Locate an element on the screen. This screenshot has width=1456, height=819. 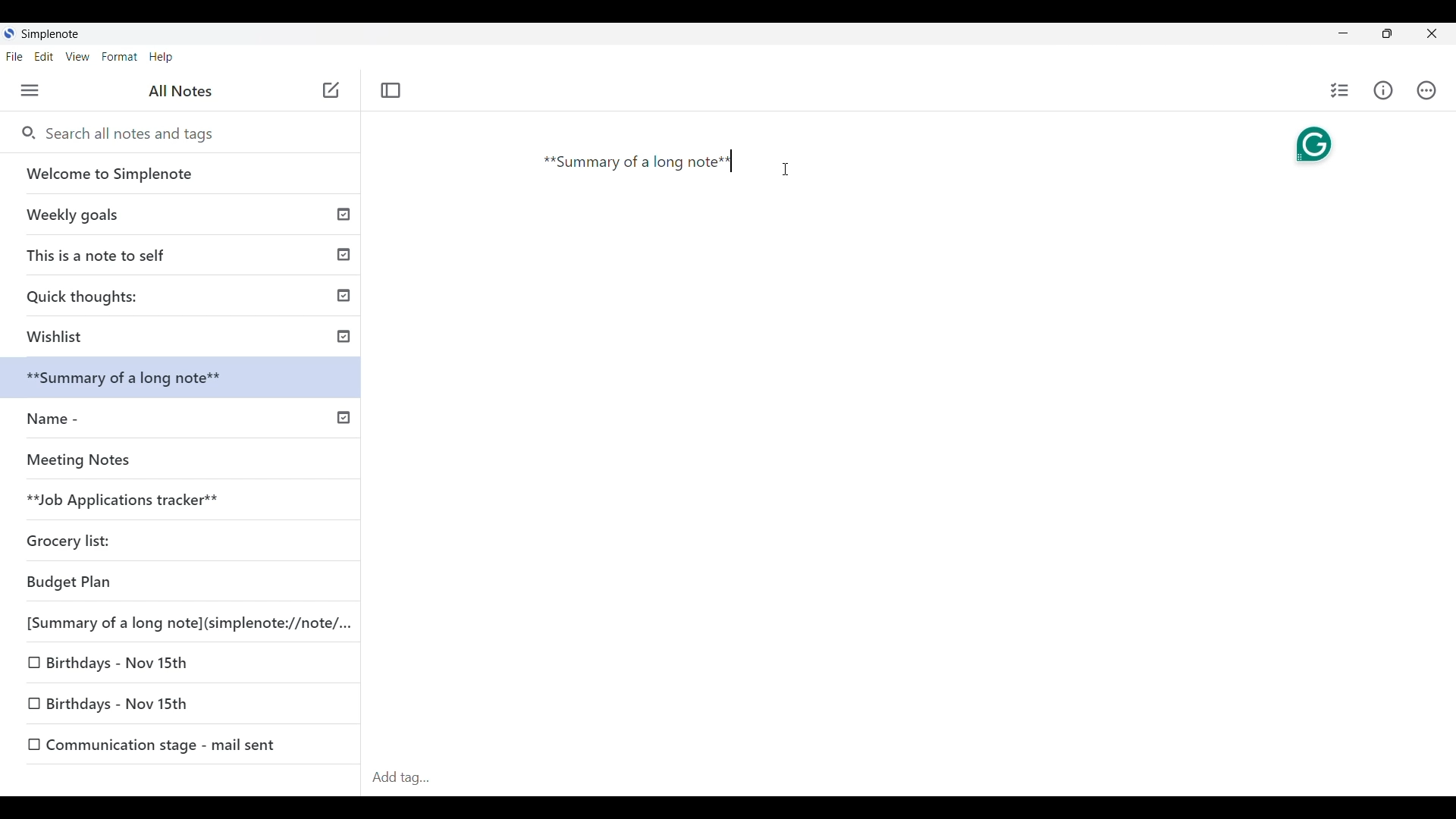
Edit is located at coordinates (44, 57).